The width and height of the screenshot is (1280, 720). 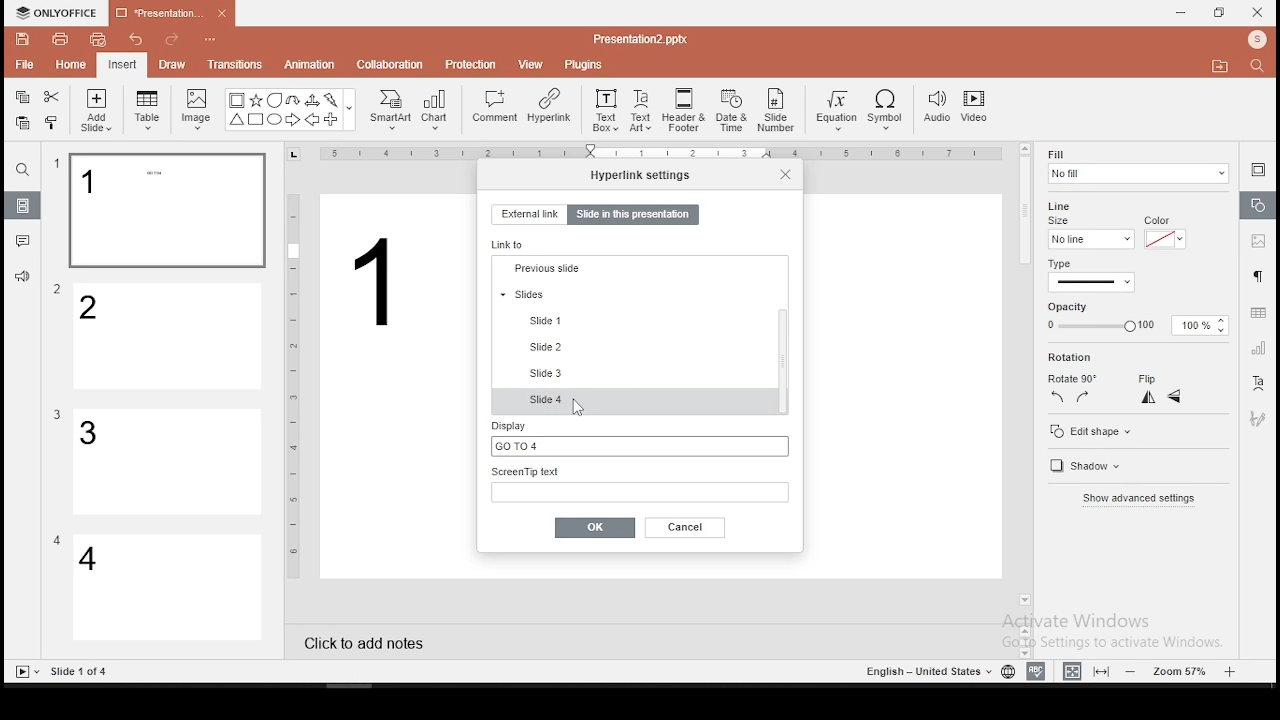 I want to click on , so click(x=211, y=41).